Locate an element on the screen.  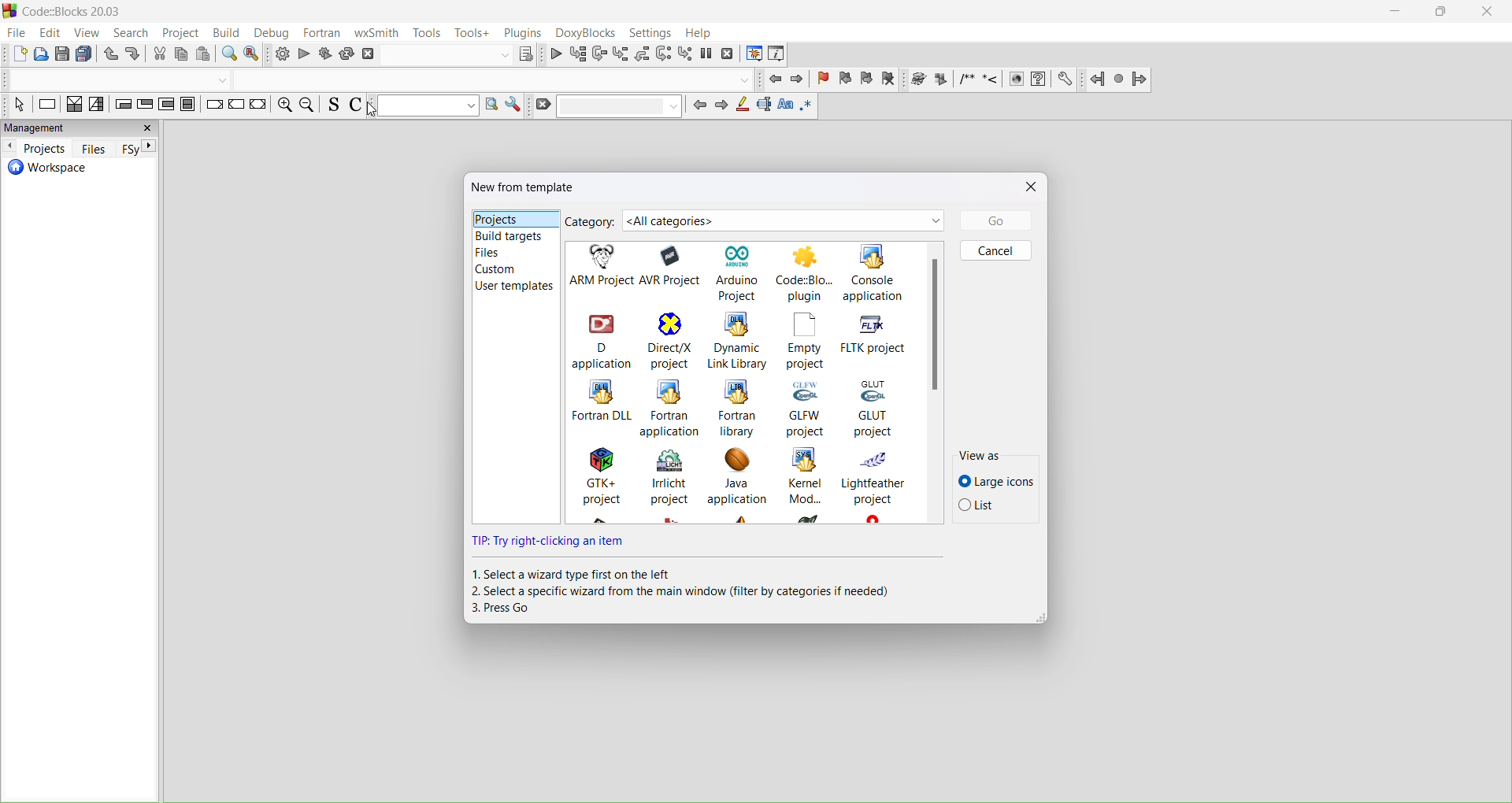
step out is located at coordinates (643, 54).